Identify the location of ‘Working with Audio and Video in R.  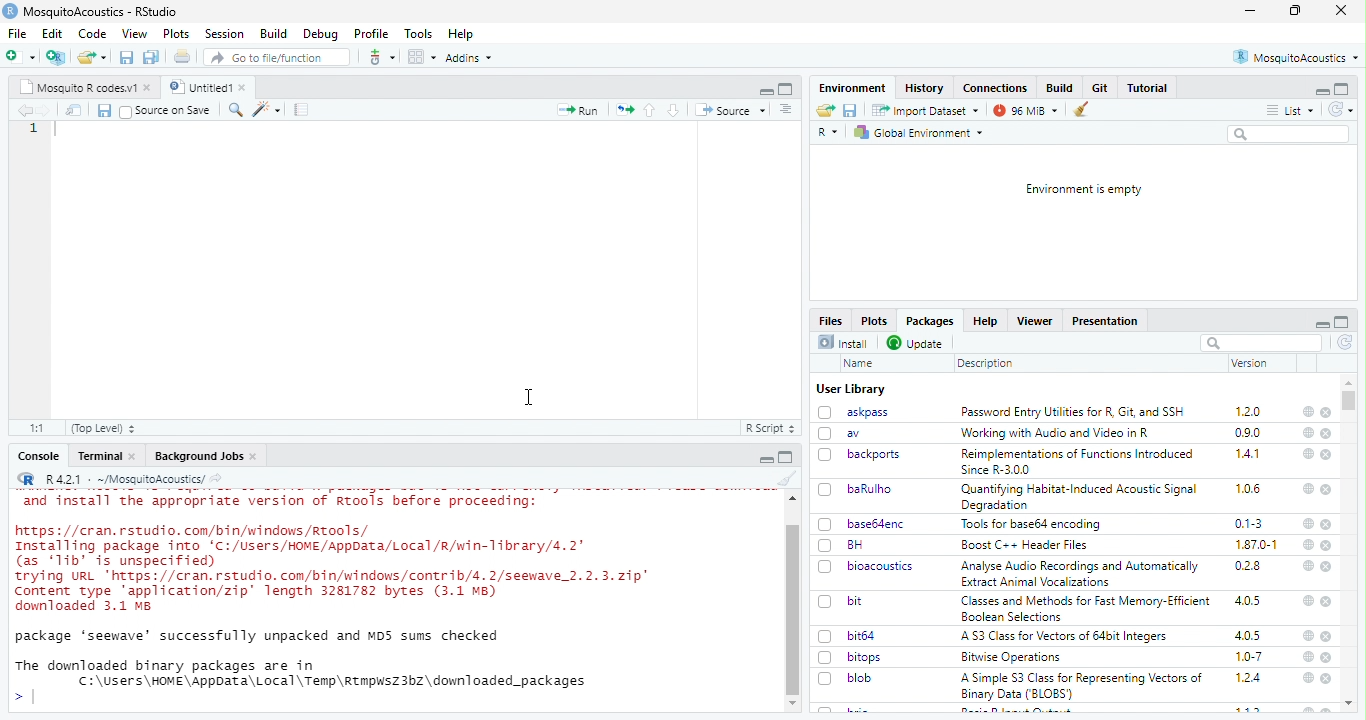
(1059, 433).